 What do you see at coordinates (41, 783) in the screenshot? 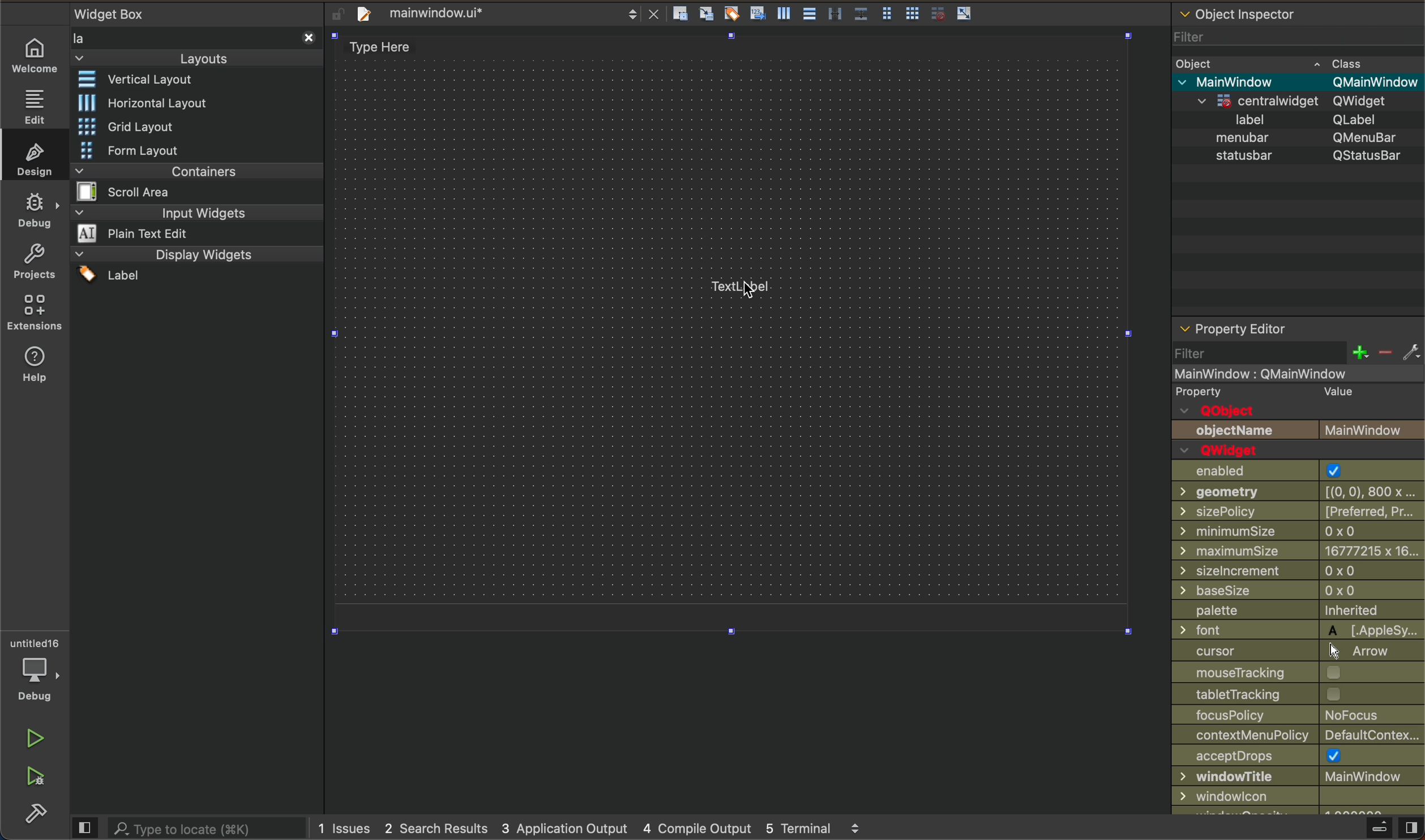
I see `run abd debug` at bounding box center [41, 783].